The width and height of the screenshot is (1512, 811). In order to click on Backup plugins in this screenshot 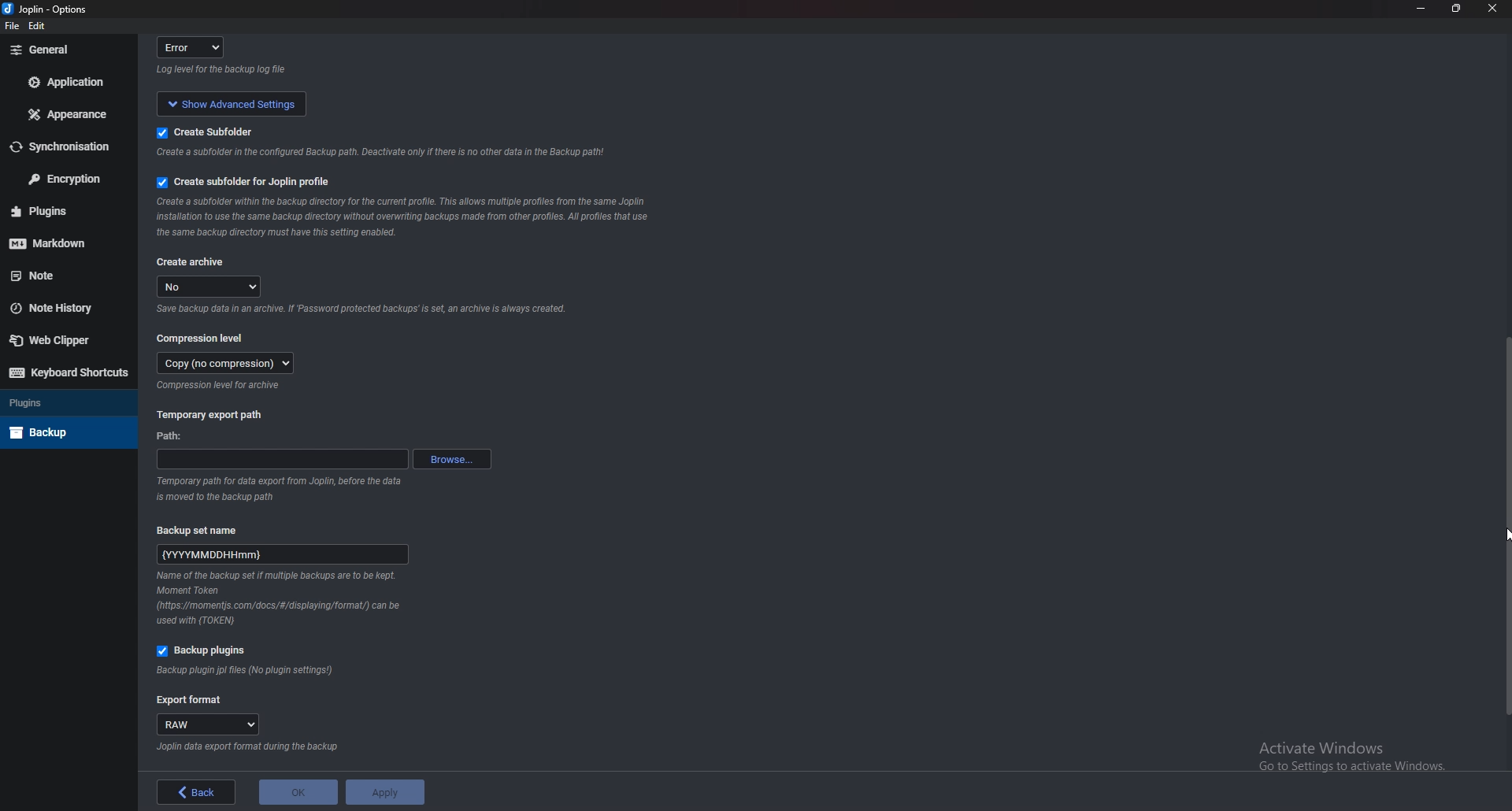, I will do `click(207, 651)`.